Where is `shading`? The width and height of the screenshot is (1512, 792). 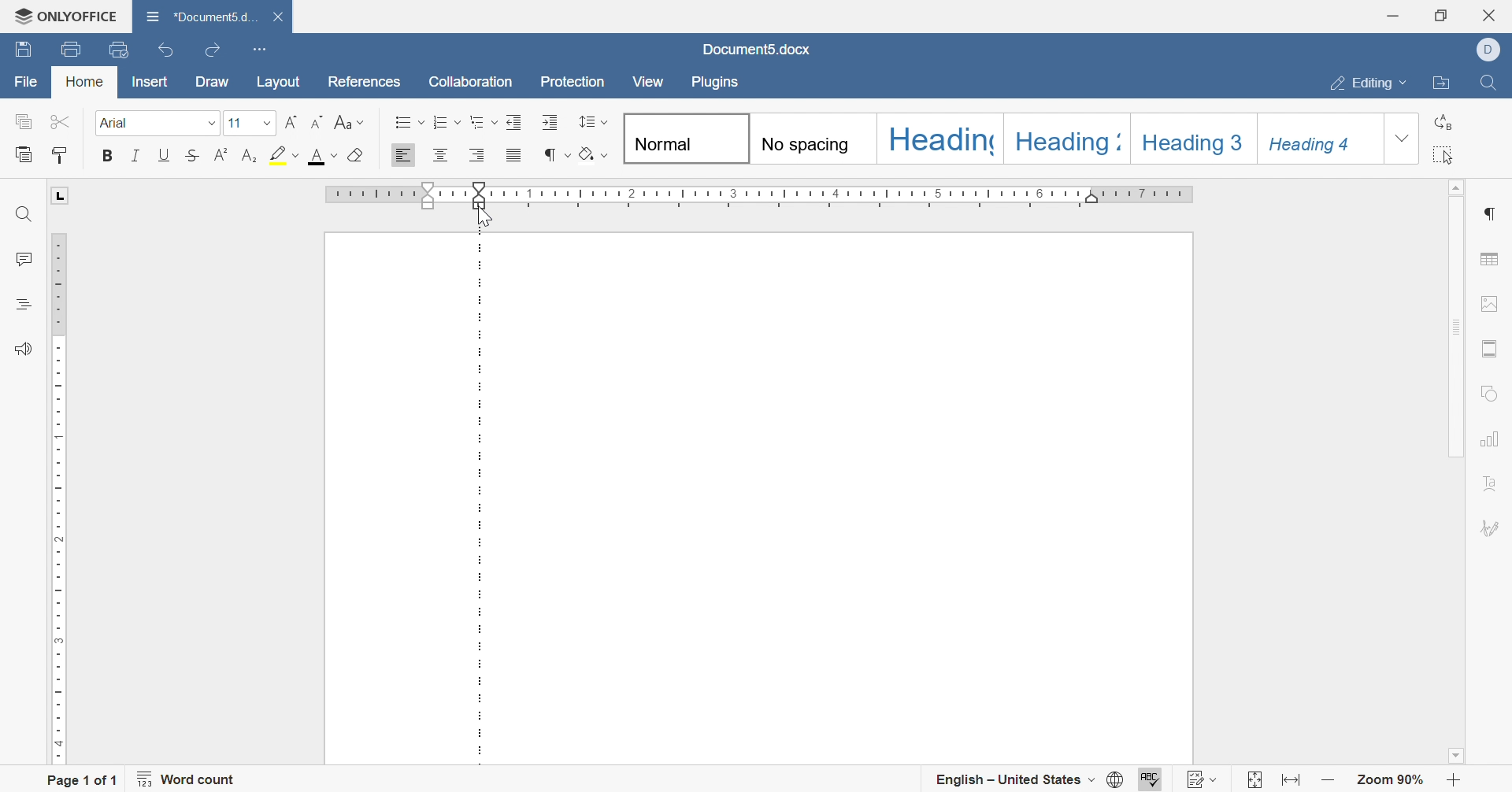 shading is located at coordinates (596, 157).